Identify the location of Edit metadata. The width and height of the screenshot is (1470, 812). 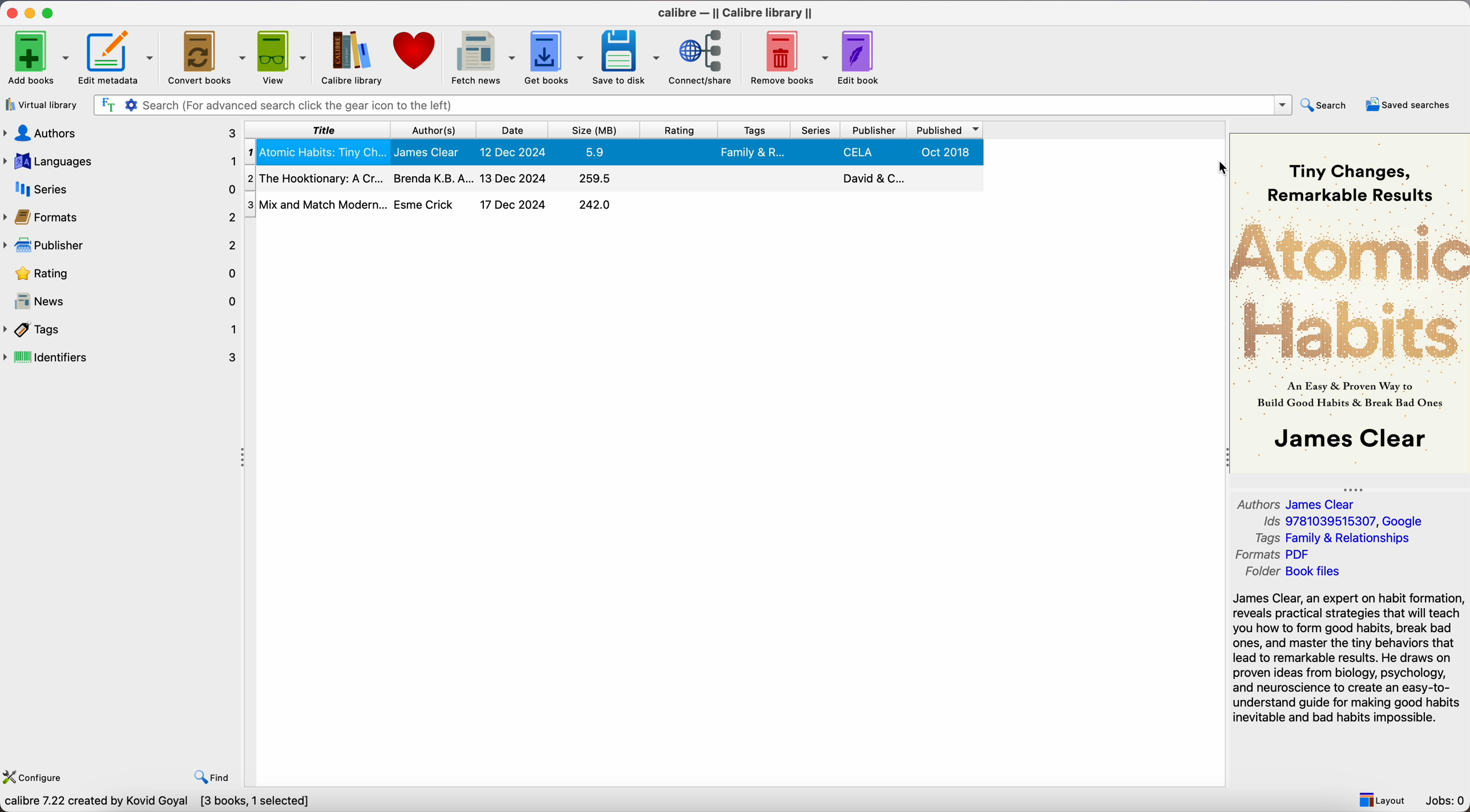
(111, 59).